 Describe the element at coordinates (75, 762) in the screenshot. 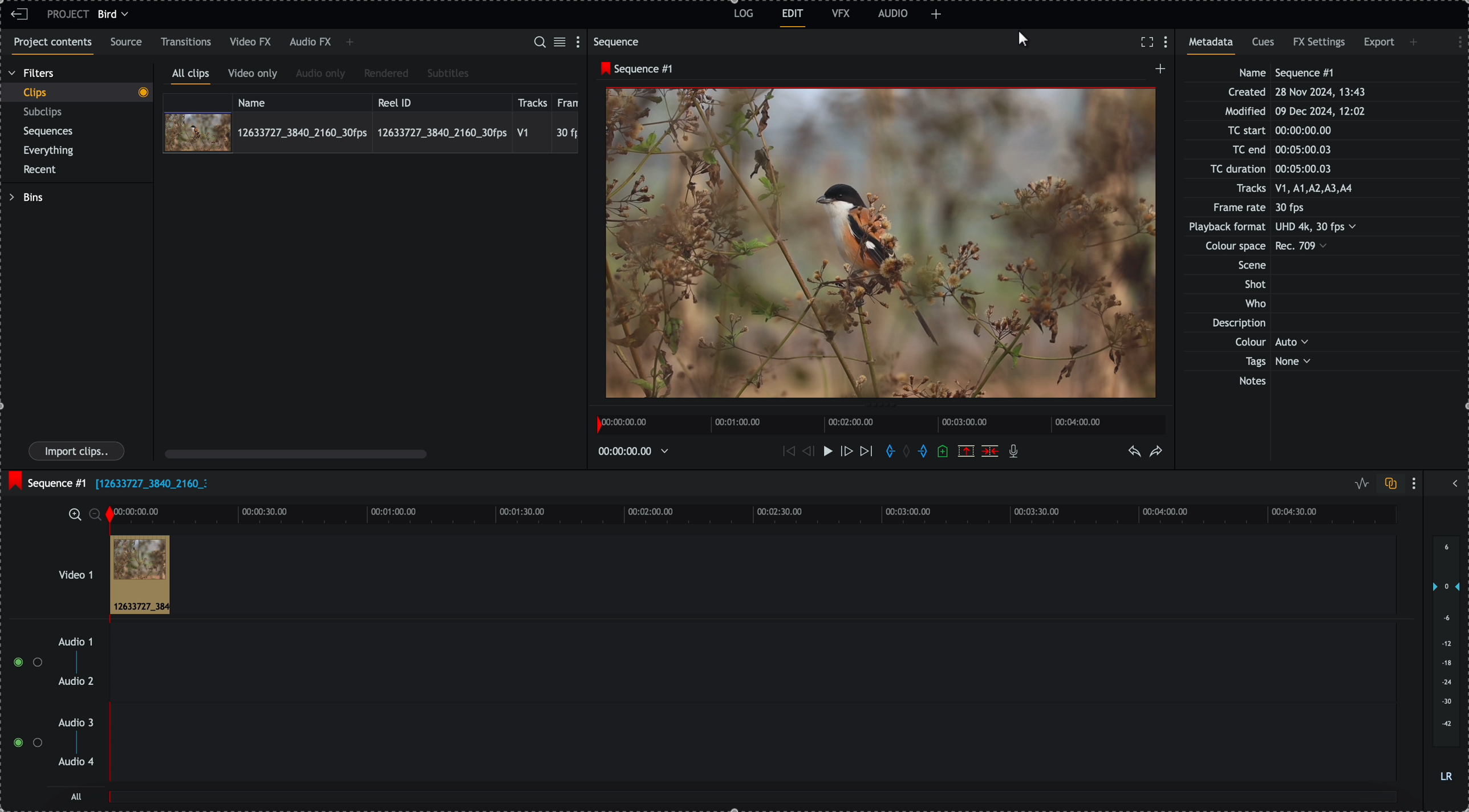

I see `audio 4` at that location.